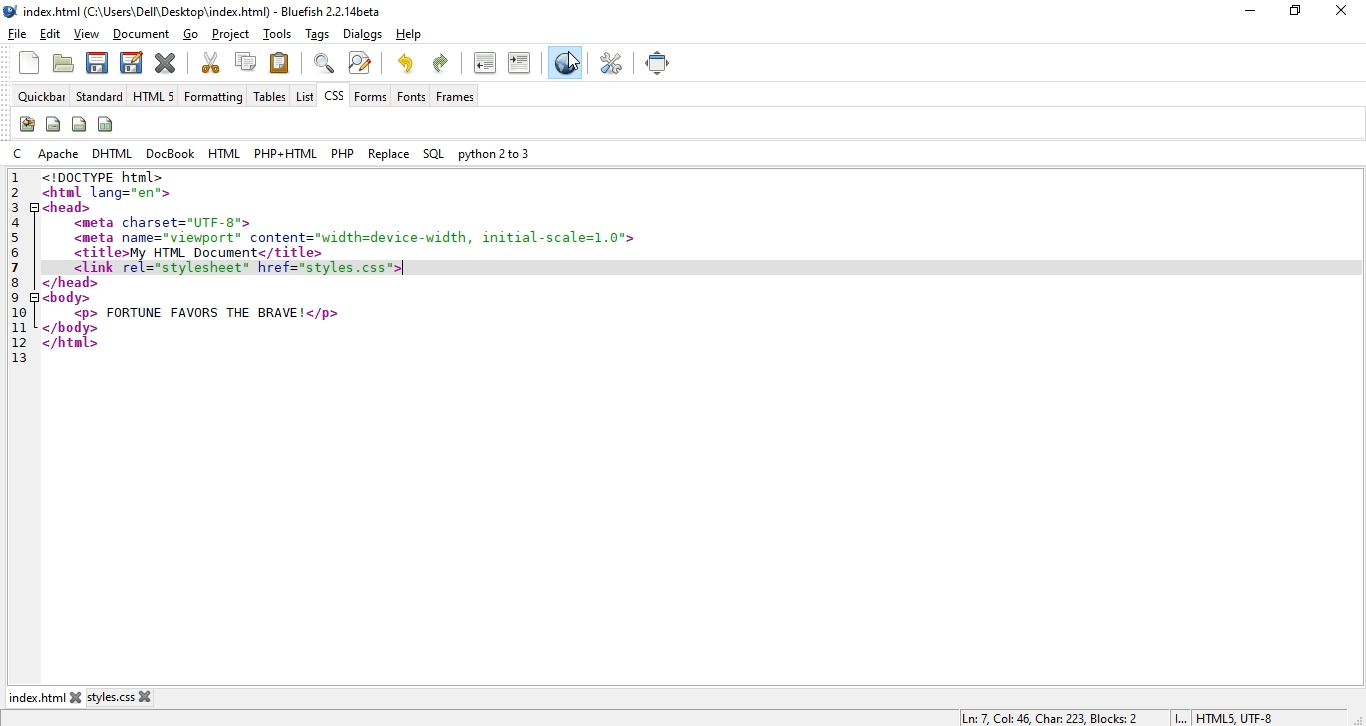 Image resolution: width=1366 pixels, height=726 pixels. What do you see at coordinates (66, 297) in the screenshot?
I see `<body>` at bounding box center [66, 297].